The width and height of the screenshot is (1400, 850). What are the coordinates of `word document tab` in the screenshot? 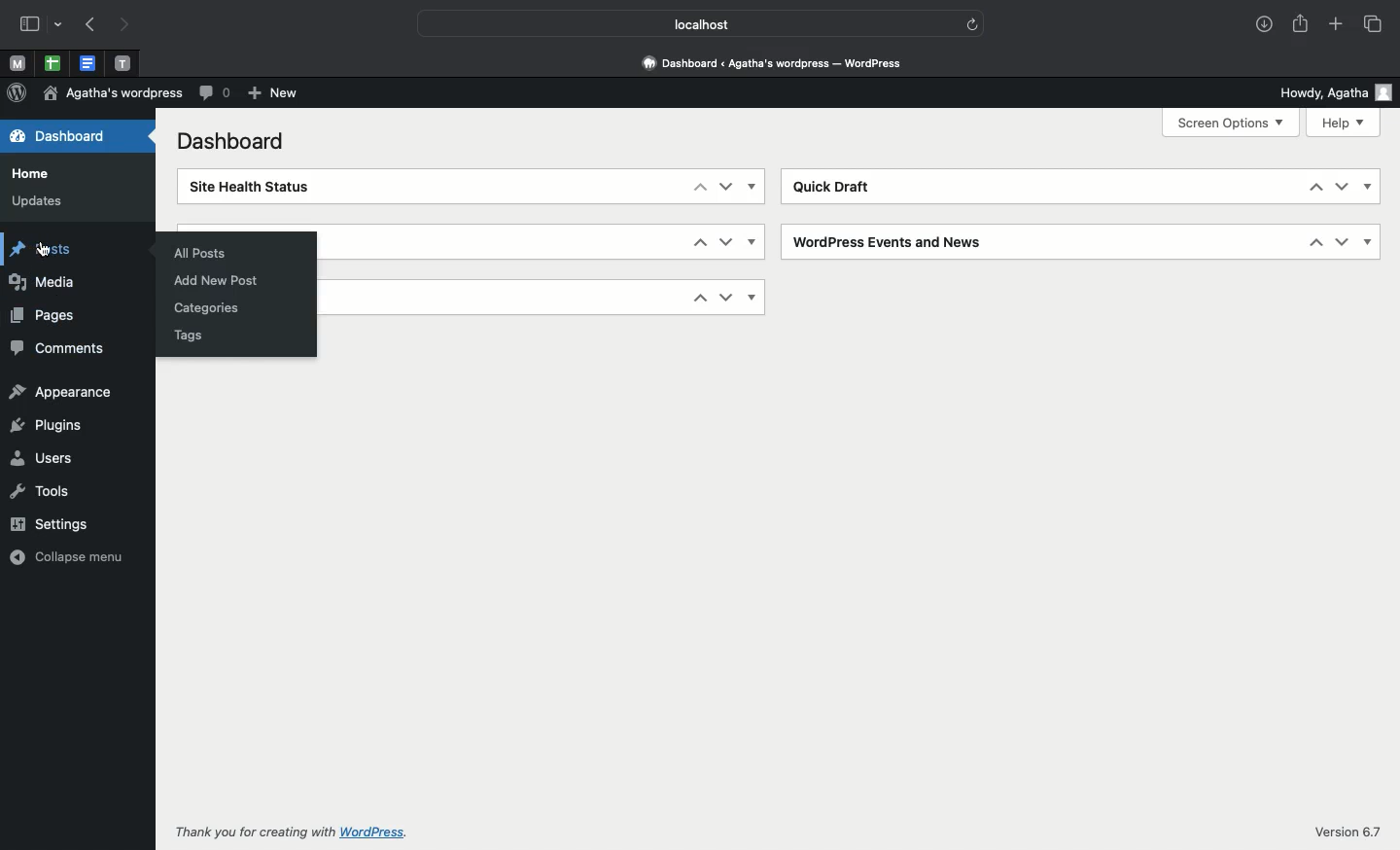 It's located at (85, 62).